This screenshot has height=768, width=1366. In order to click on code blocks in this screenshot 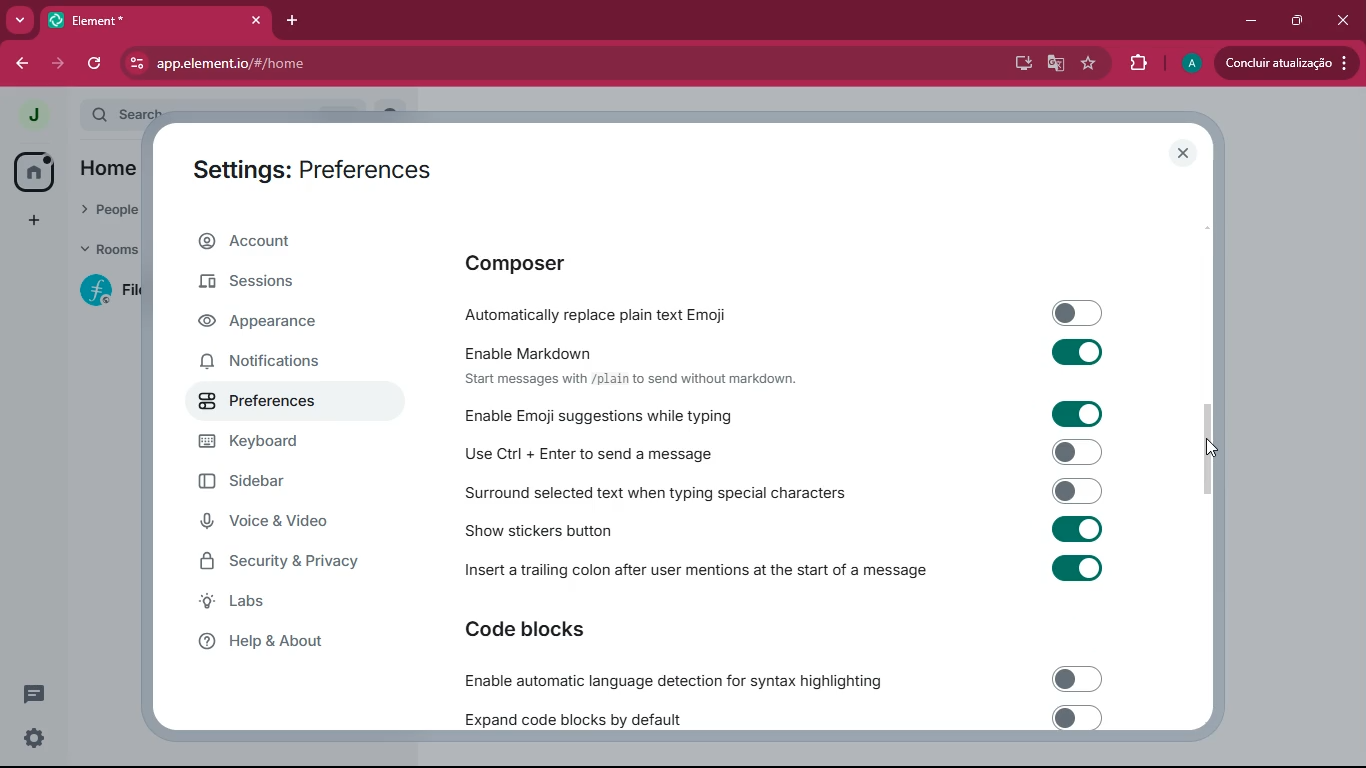, I will do `click(559, 633)`.